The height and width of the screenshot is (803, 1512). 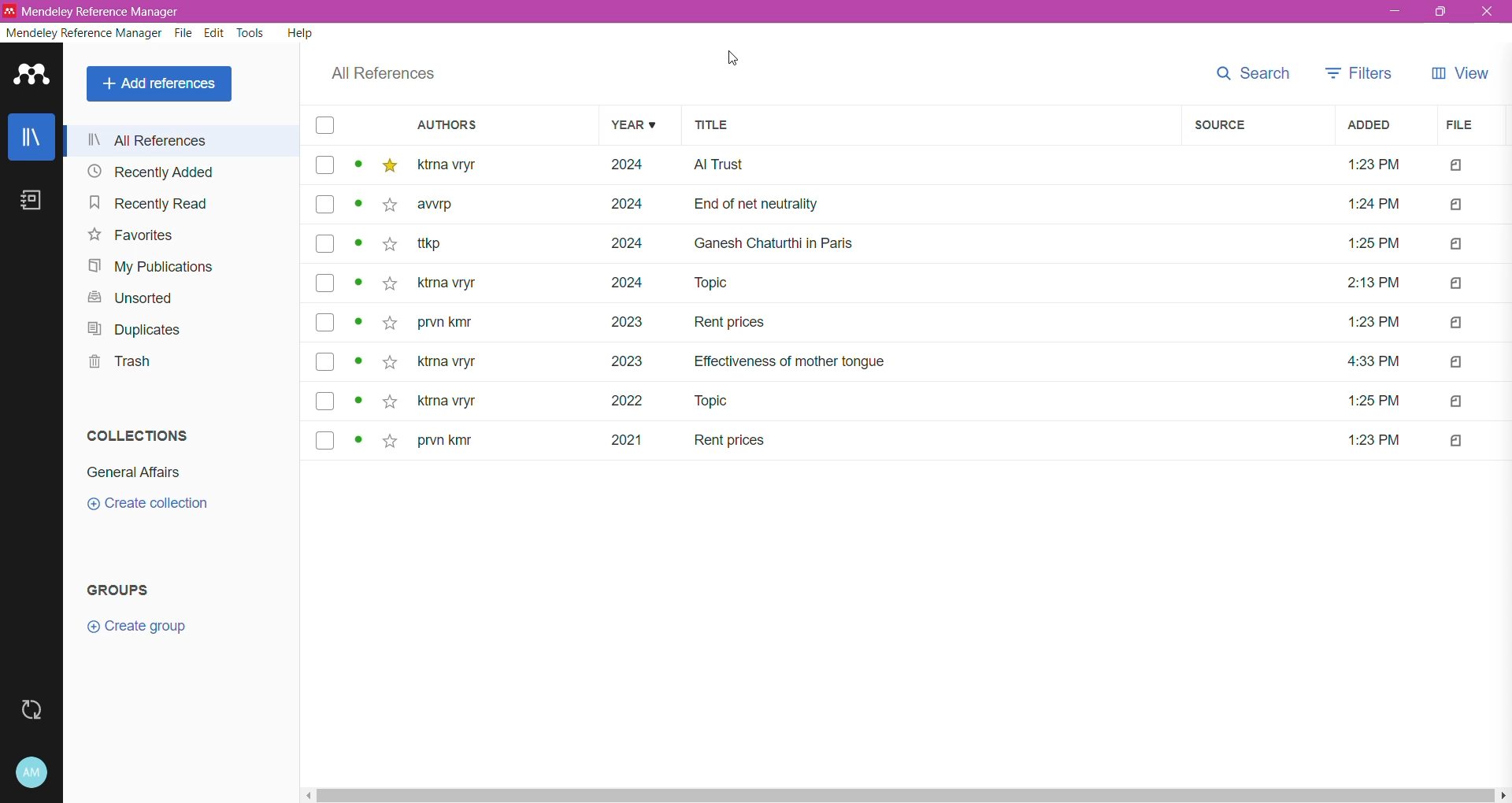 What do you see at coordinates (1459, 73) in the screenshot?
I see `View` at bounding box center [1459, 73].